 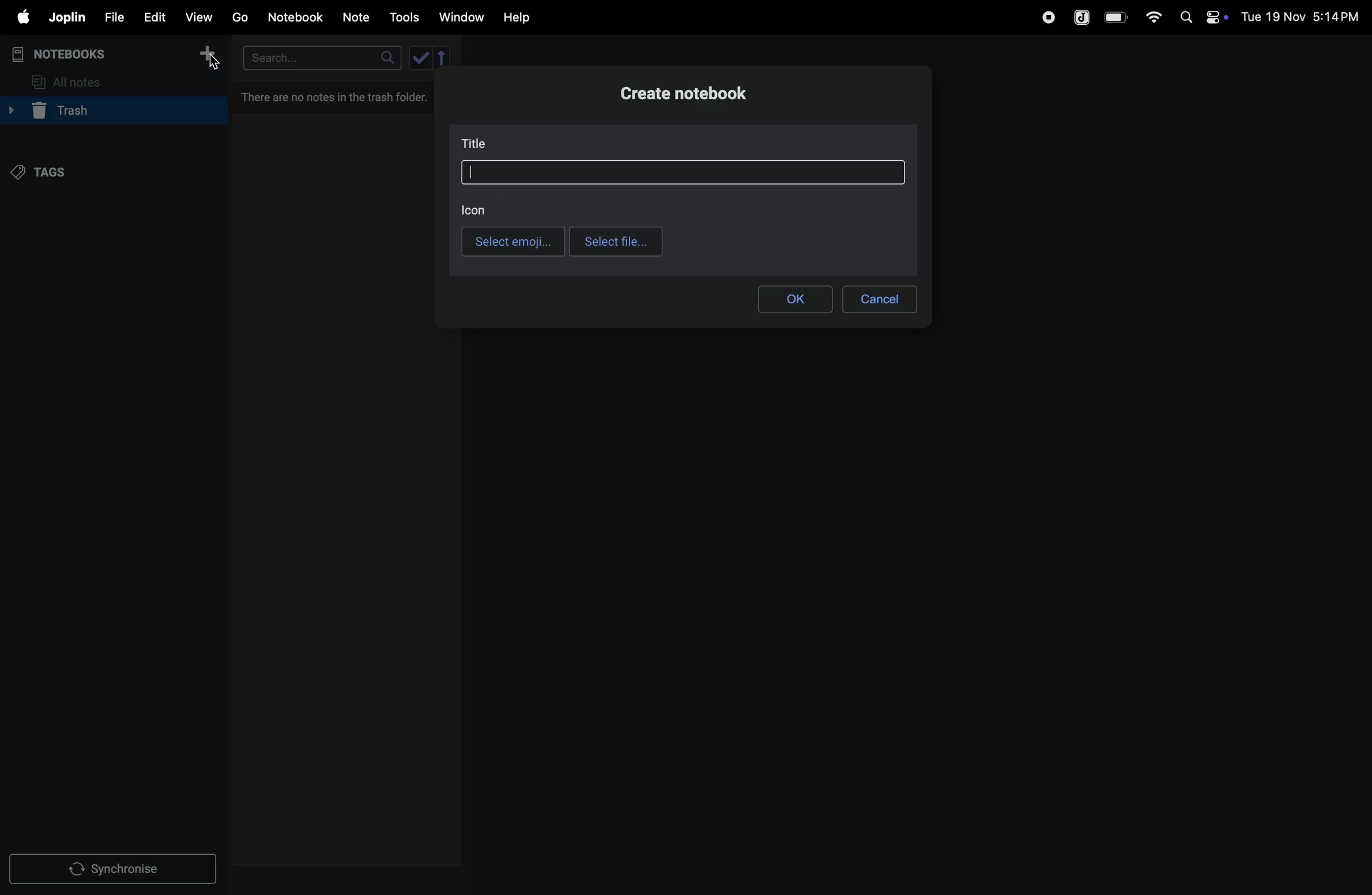 What do you see at coordinates (110, 16) in the screenshot?
I see `file` at bounding box center [110, 16].